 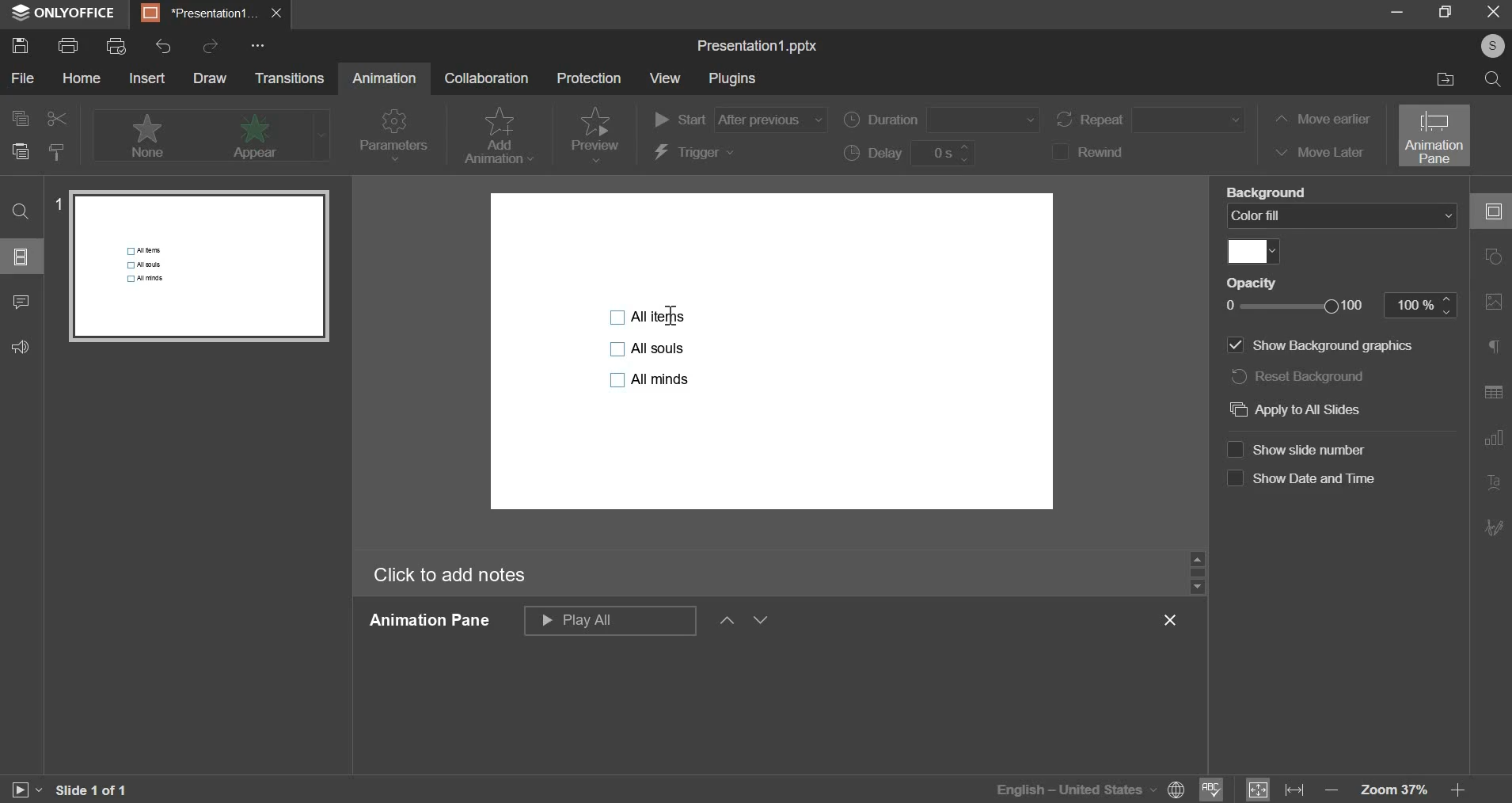 I want to click on copy, so click(x=18, y=117).